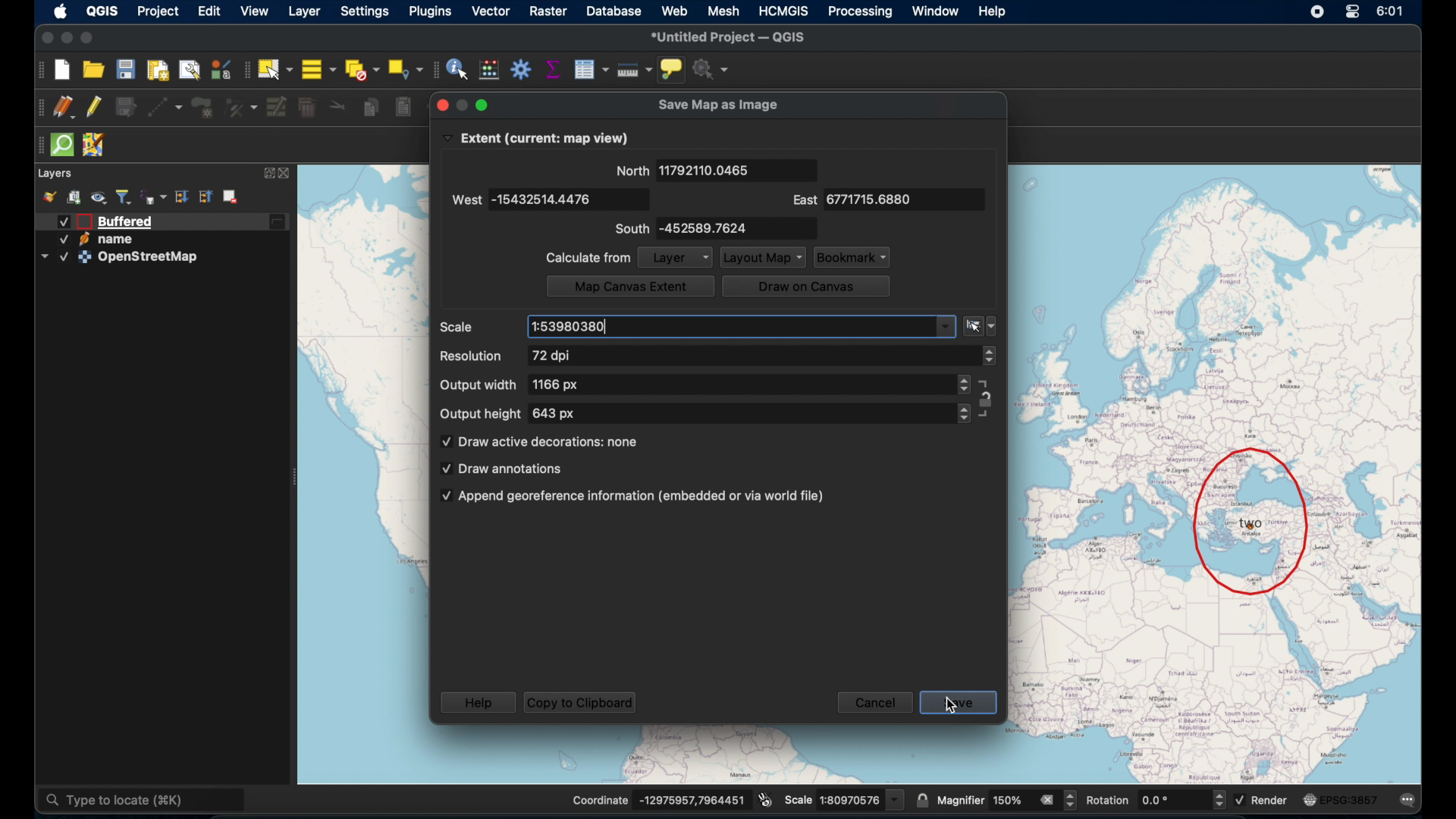  I want to click on messages, so click(1409, 799).